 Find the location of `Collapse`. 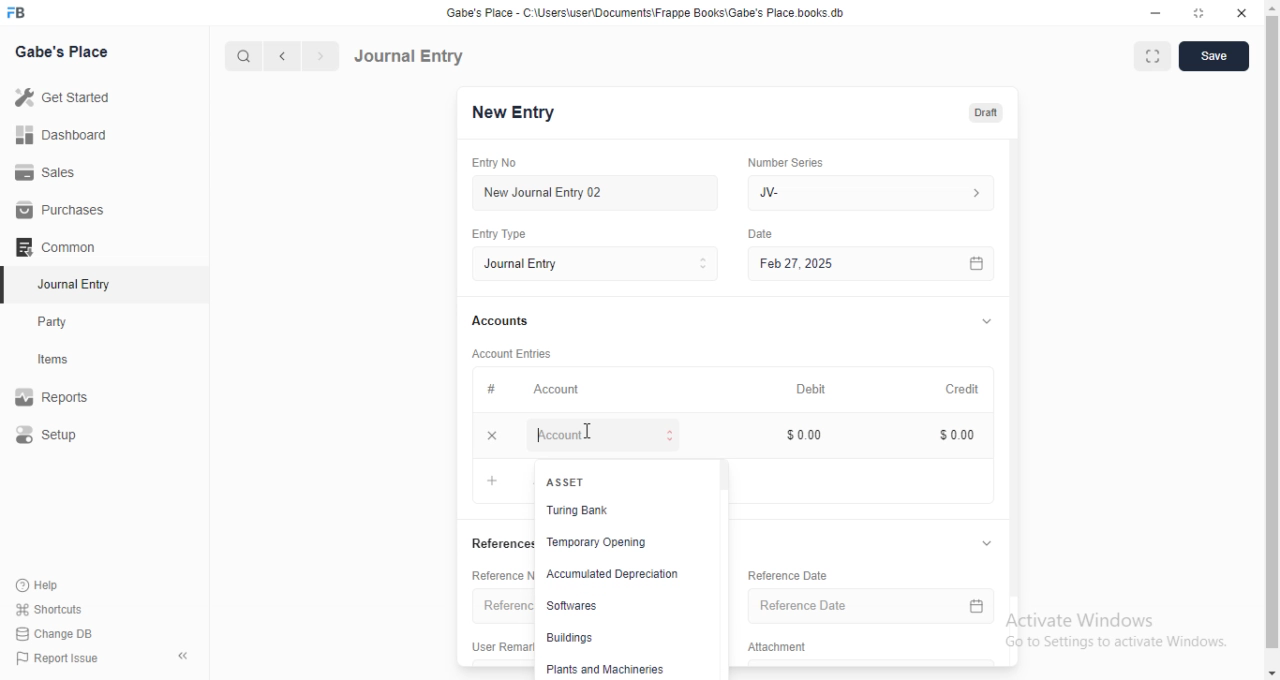

Collapse is located at coordinates (184, 656).